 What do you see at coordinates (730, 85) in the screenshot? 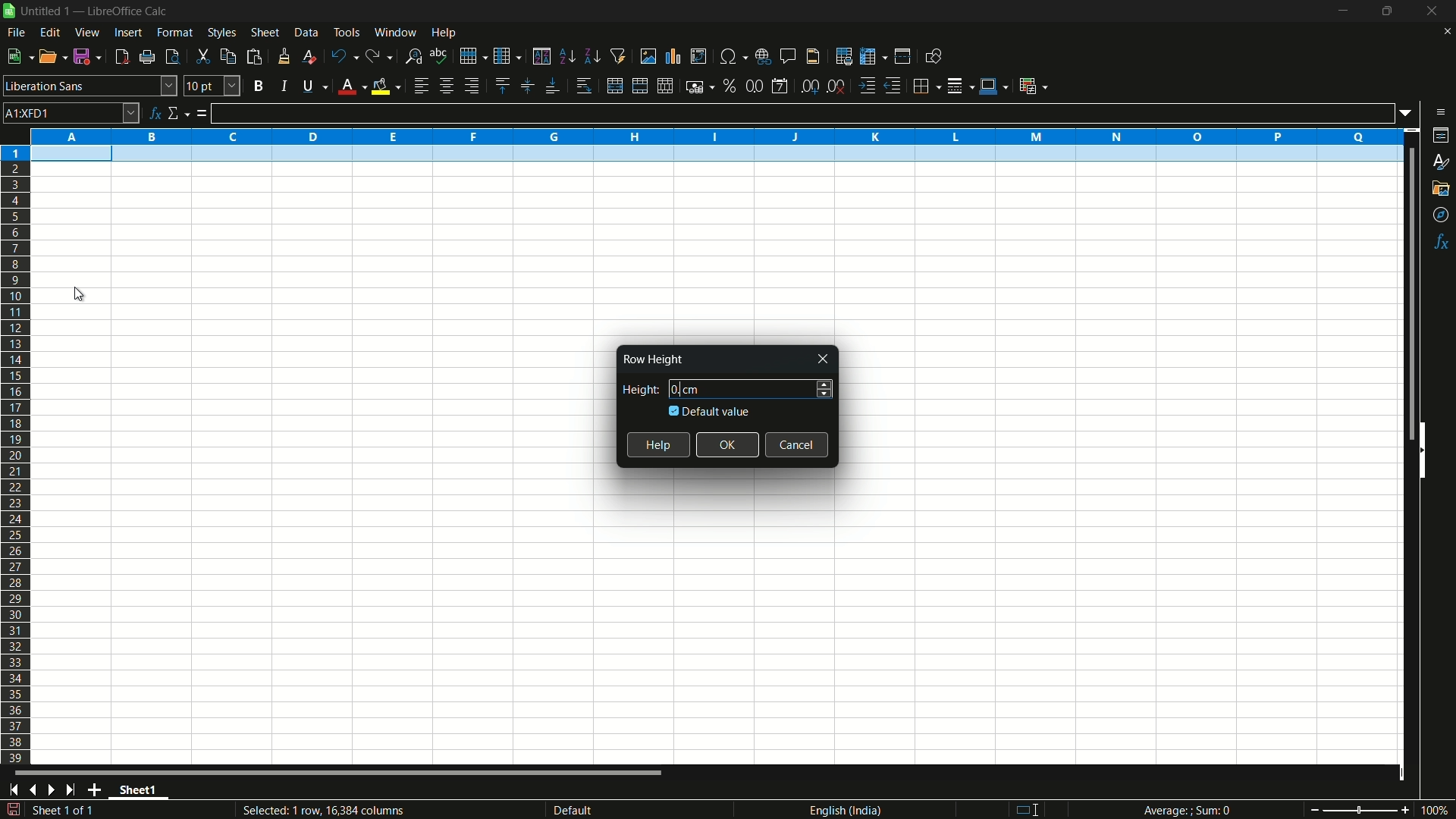
I see `format as percent` at bounding box center [730, 85].